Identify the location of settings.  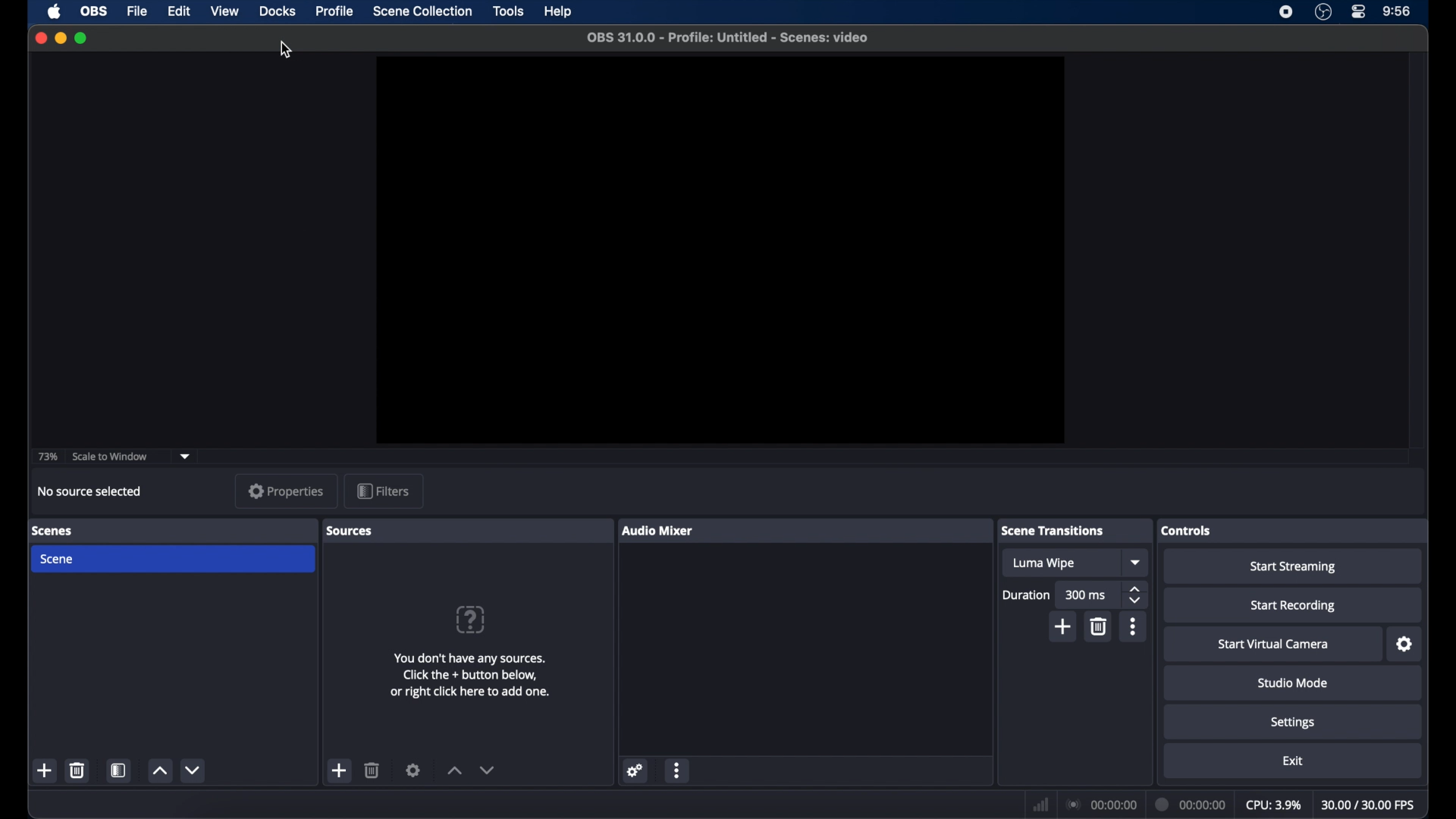
(635, 771).